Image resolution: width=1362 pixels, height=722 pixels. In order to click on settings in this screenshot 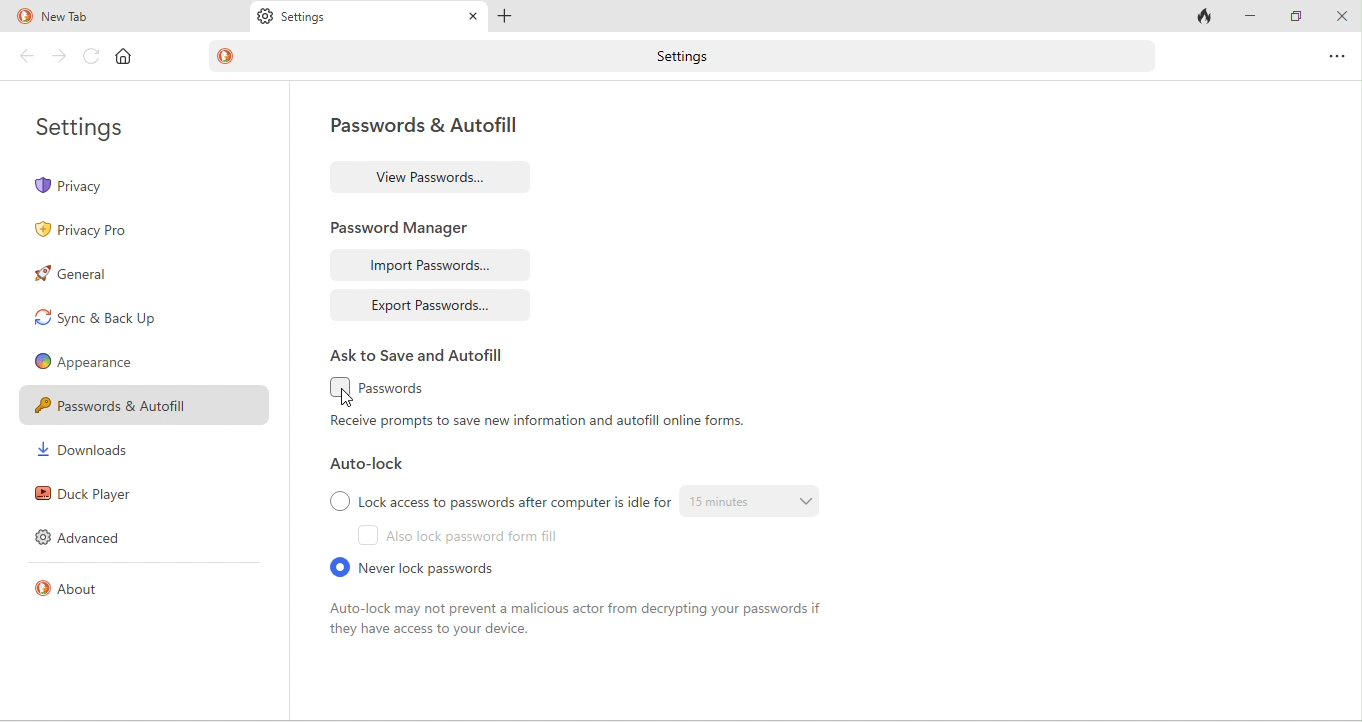, I will do `click(697, 56)`.